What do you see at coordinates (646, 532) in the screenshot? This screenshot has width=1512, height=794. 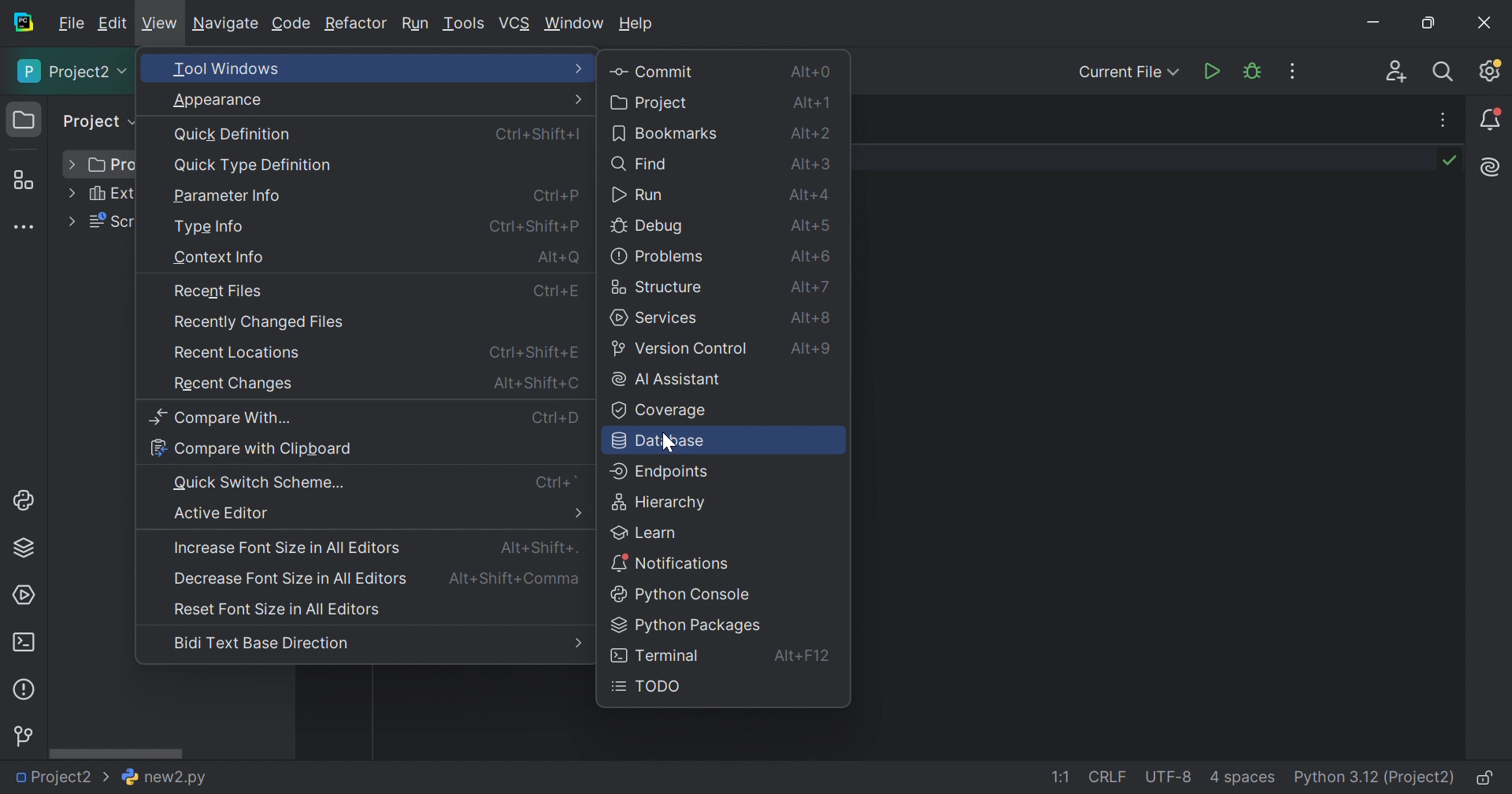 I see `Learn` at bounding box center [646, 532].